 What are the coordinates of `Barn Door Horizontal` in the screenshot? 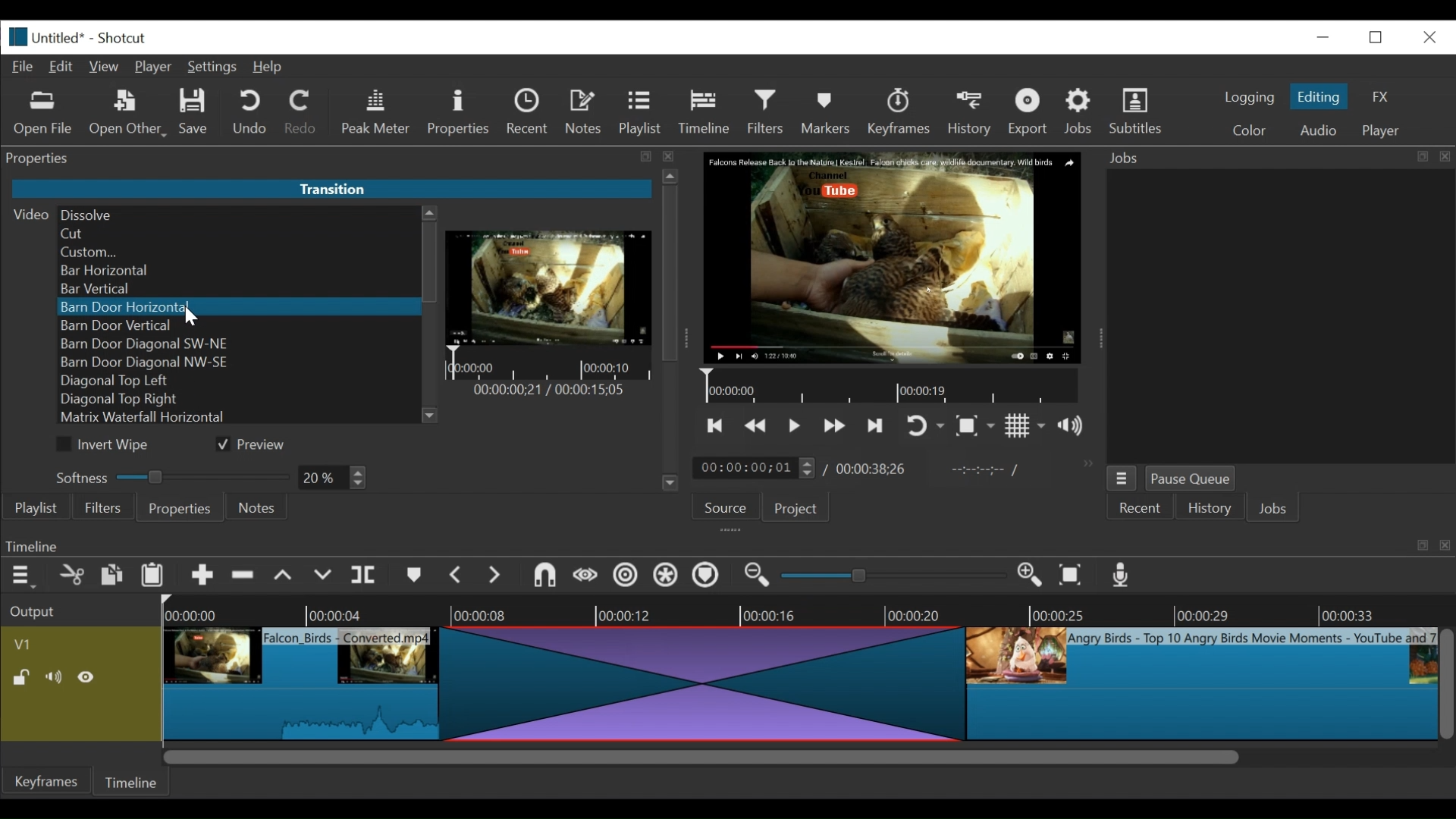 It's located at (238, 306).